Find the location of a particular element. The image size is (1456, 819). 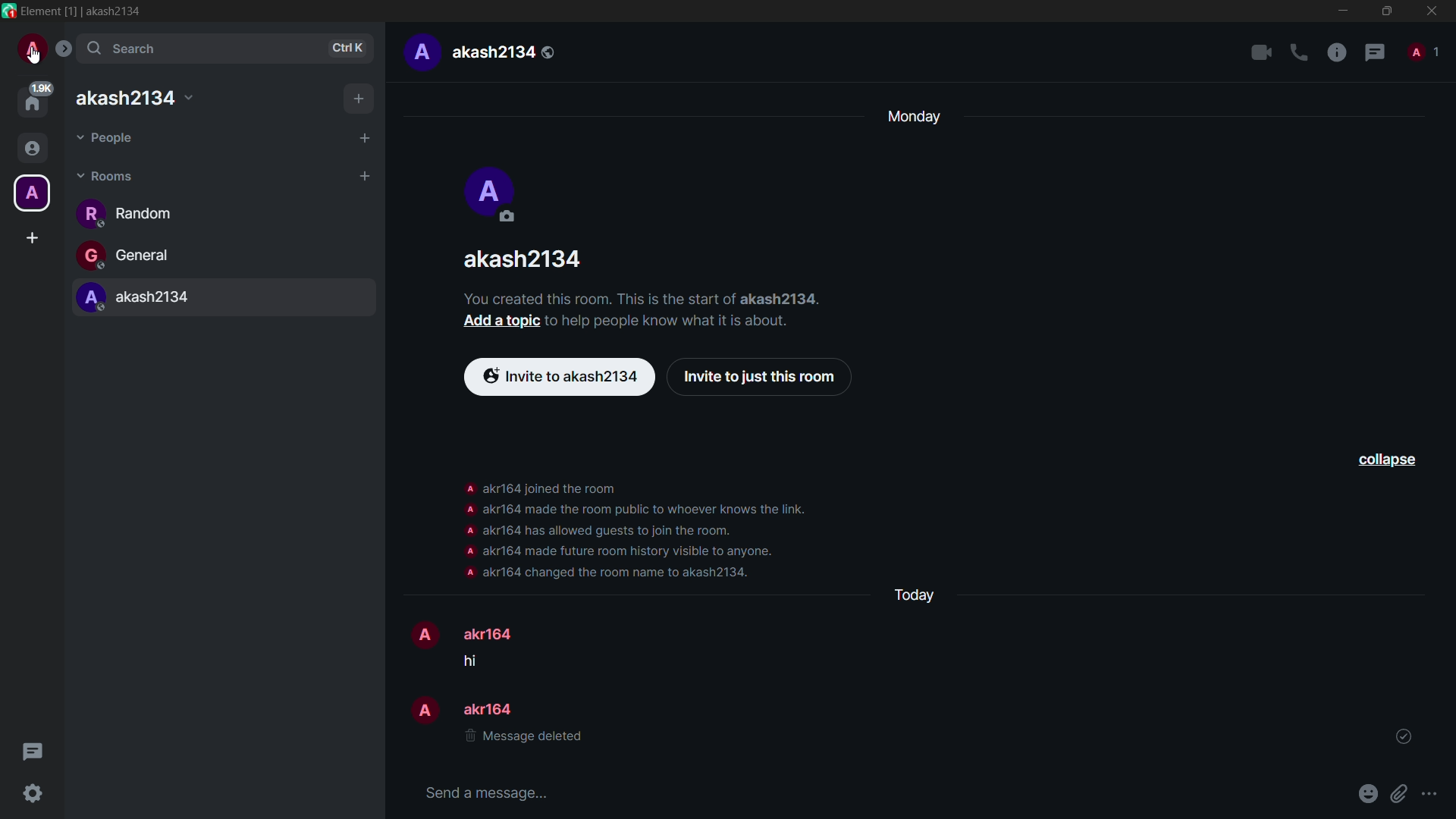

profile icon is located at coordinates (30, 193).